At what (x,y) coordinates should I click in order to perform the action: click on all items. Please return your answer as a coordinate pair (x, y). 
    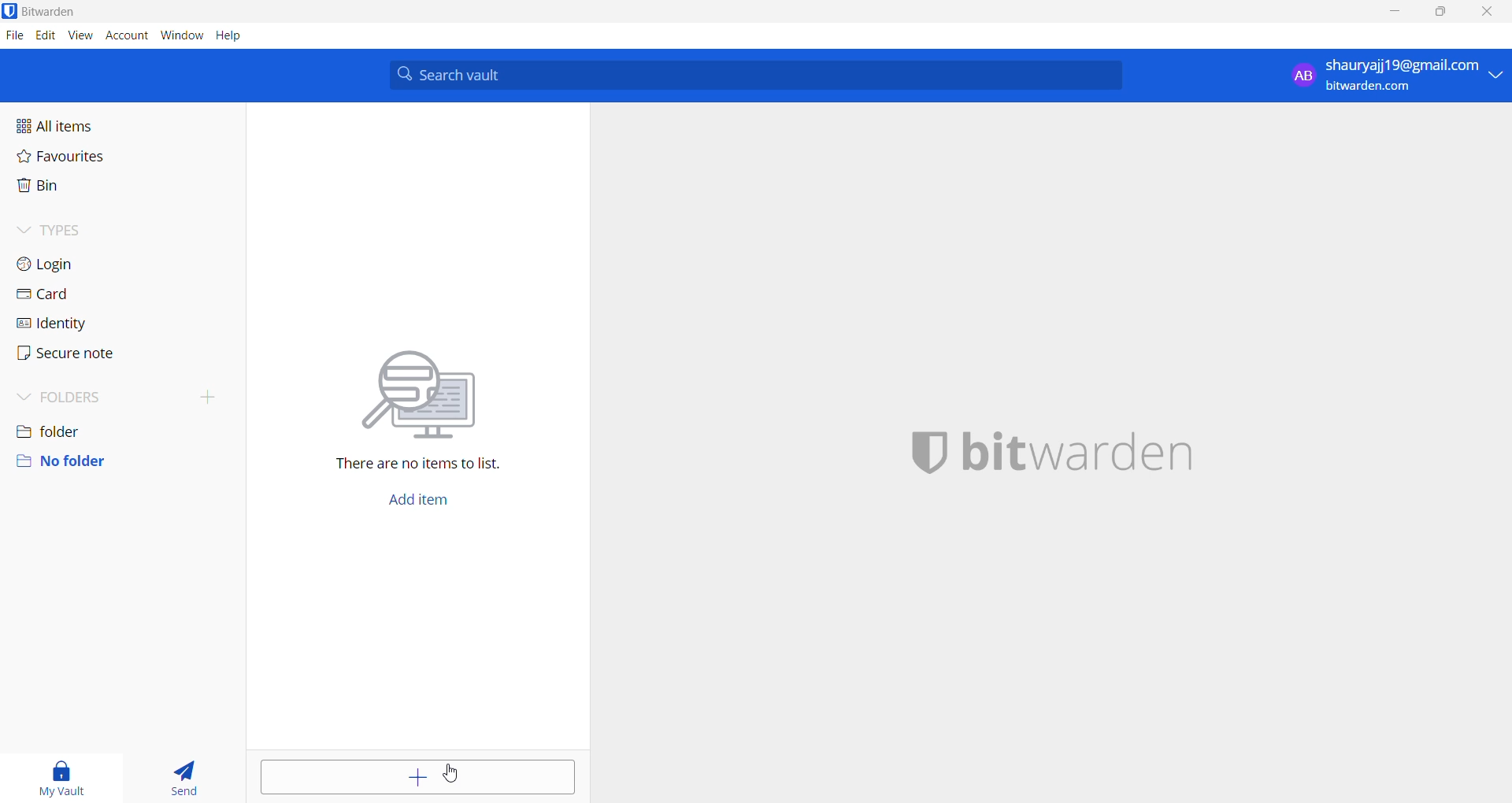
    Looking at the image, I should click on (91, 123).